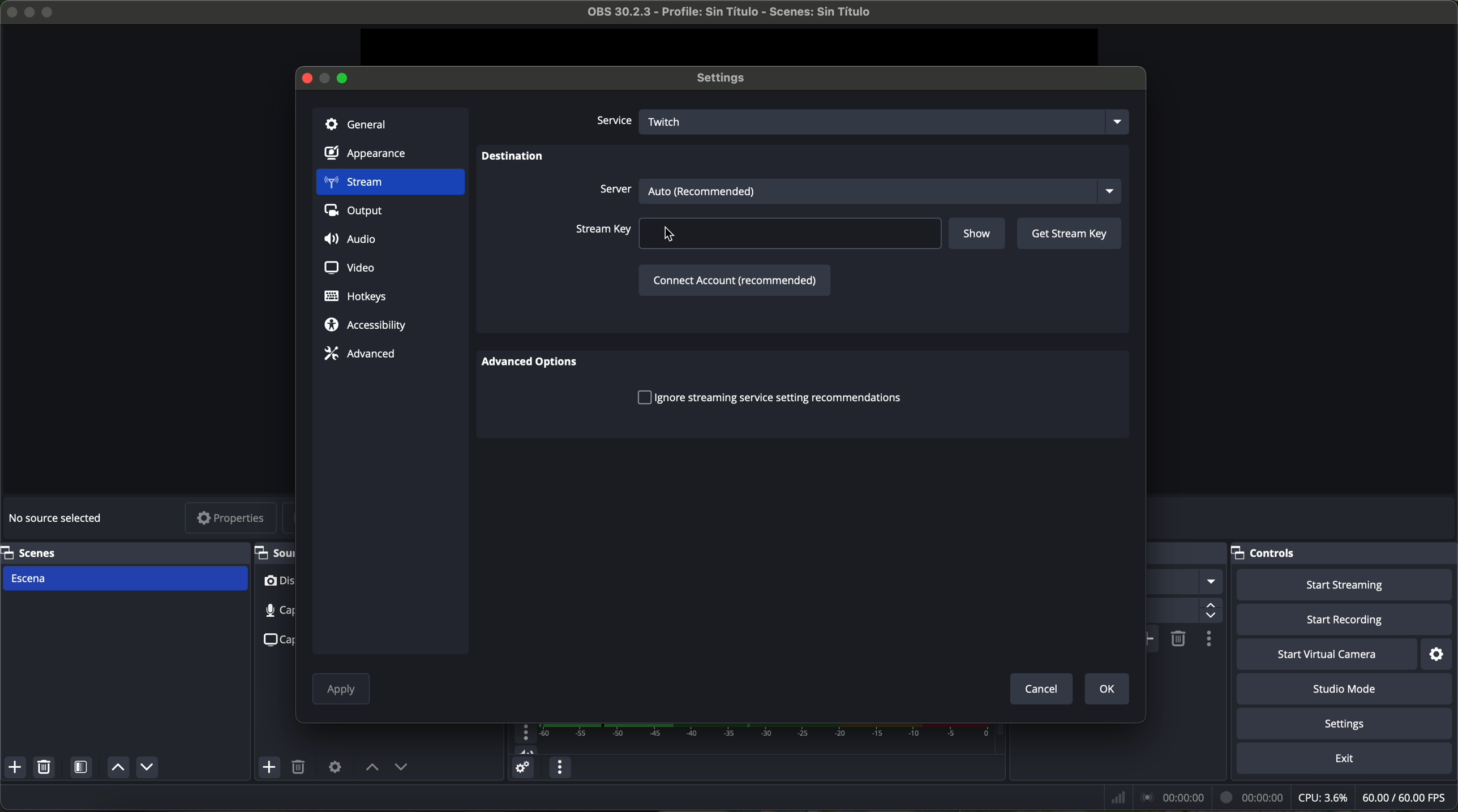 The height and width of the screenshot is (812, 1458). What do you see at coordinates (558, 768) in the screenshot?
I see `audio mixer menu` at bounding box center [558, 768].